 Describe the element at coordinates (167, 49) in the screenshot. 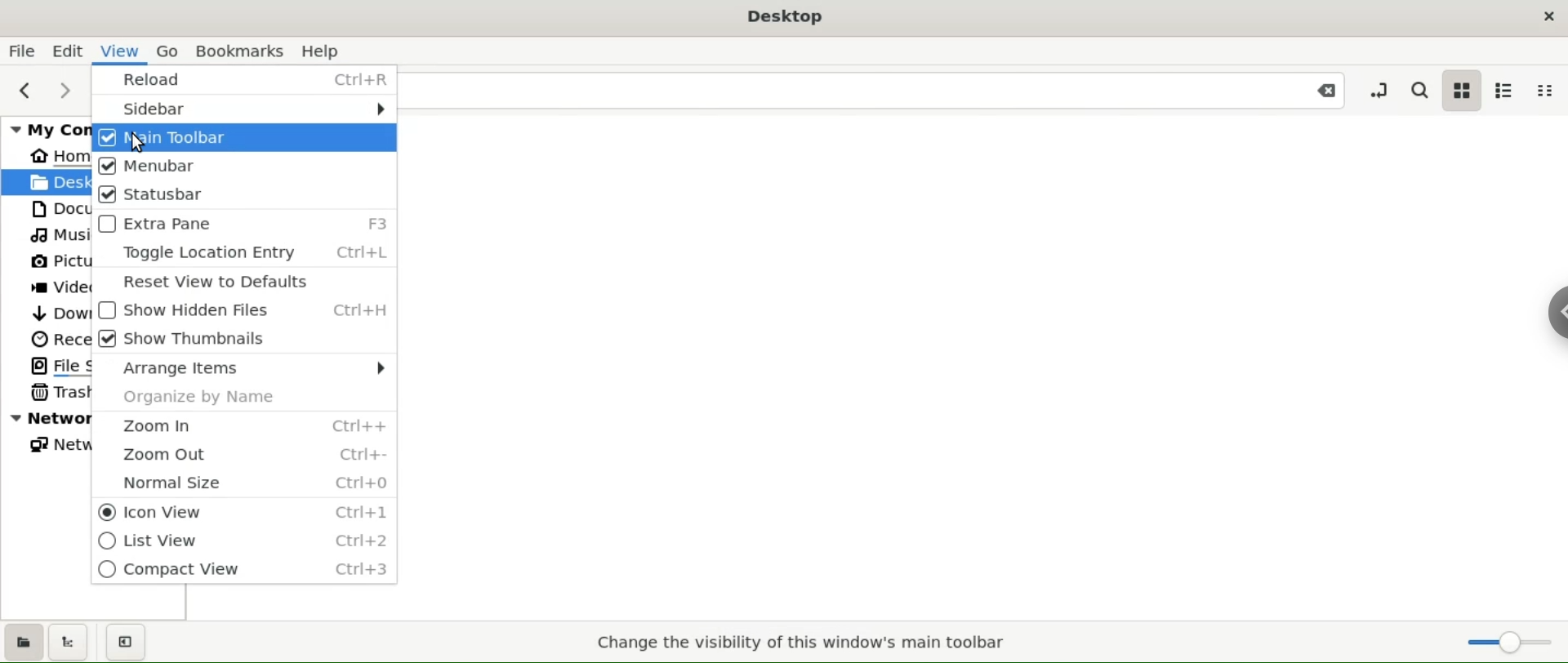

I see `go` at that location.